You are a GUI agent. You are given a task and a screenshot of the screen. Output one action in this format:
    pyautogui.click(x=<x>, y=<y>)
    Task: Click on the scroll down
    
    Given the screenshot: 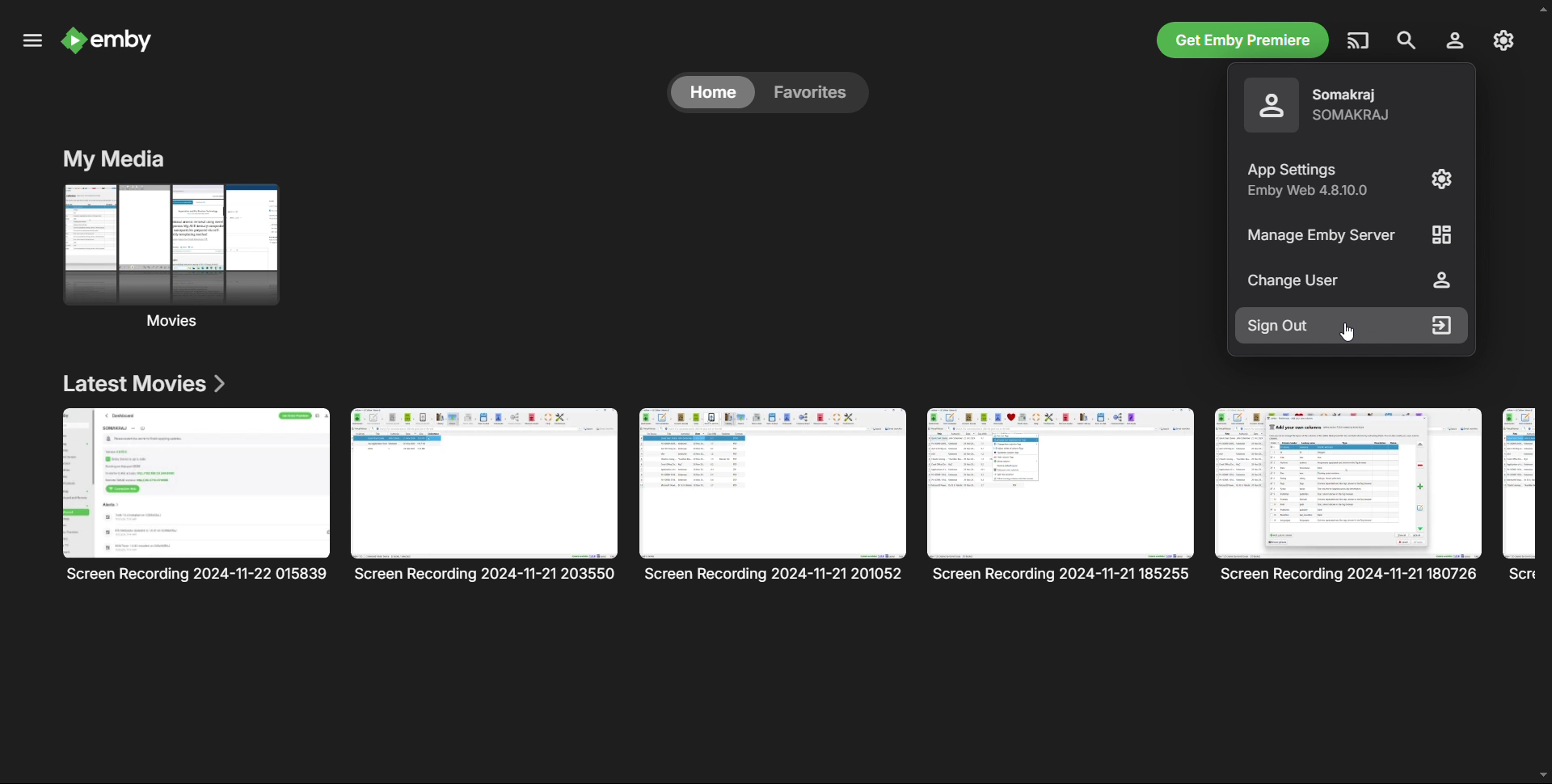 What is the action you would take?
    pyautogui.click(x=1542, y=773)
    